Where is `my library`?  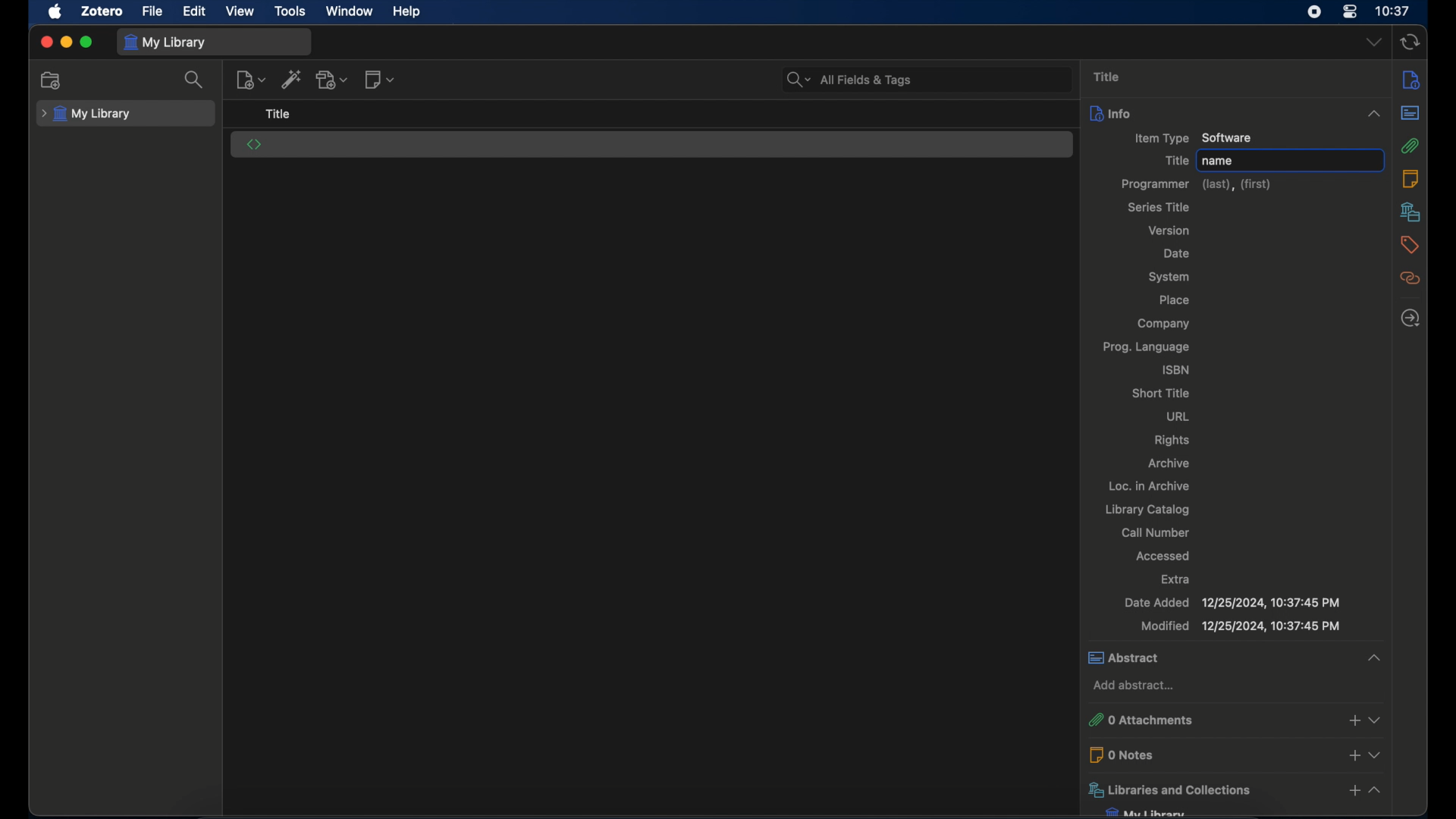 my library is located at coordinates (1144, 811).